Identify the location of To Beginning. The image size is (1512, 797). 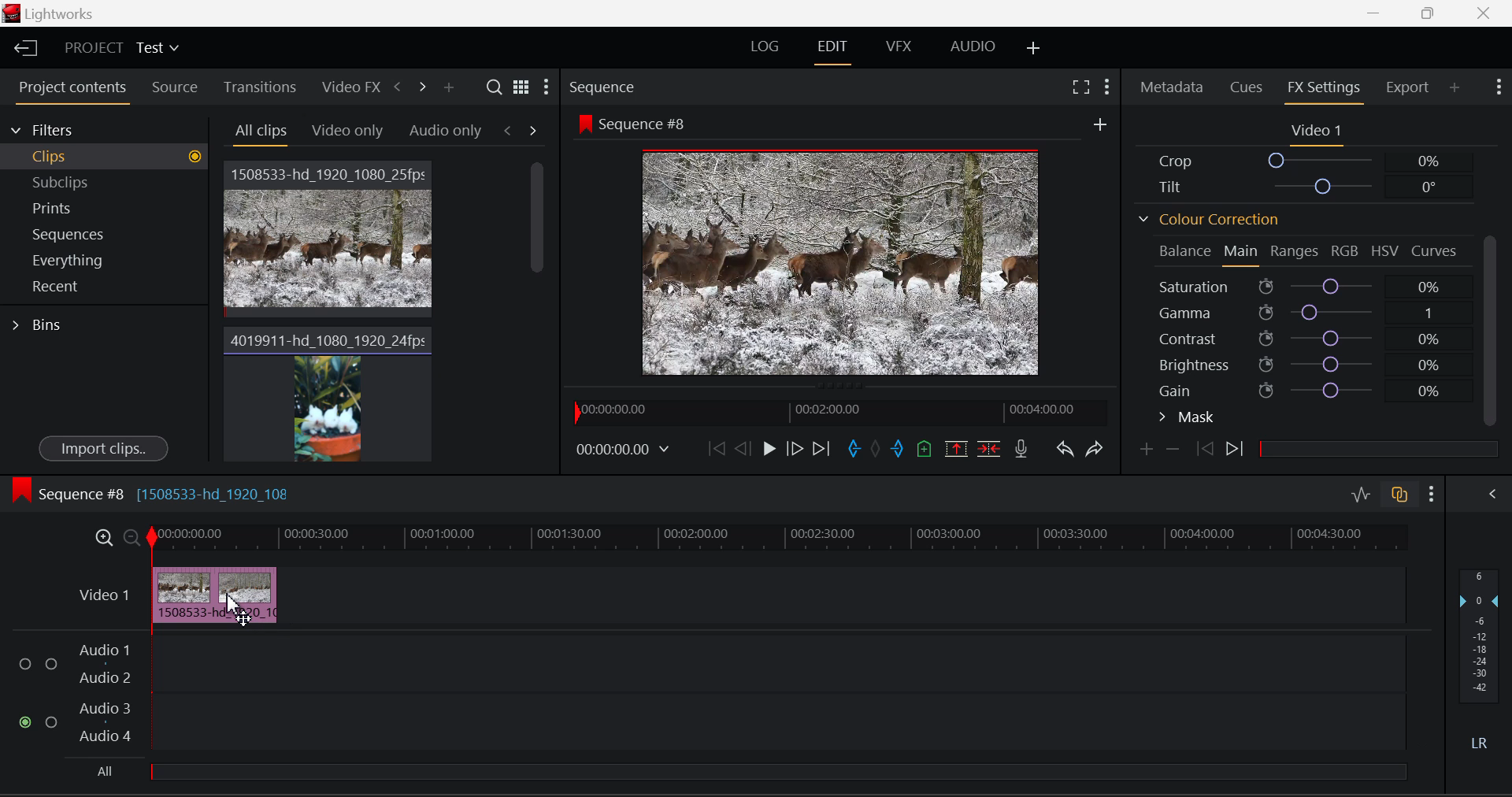
(714, 450).